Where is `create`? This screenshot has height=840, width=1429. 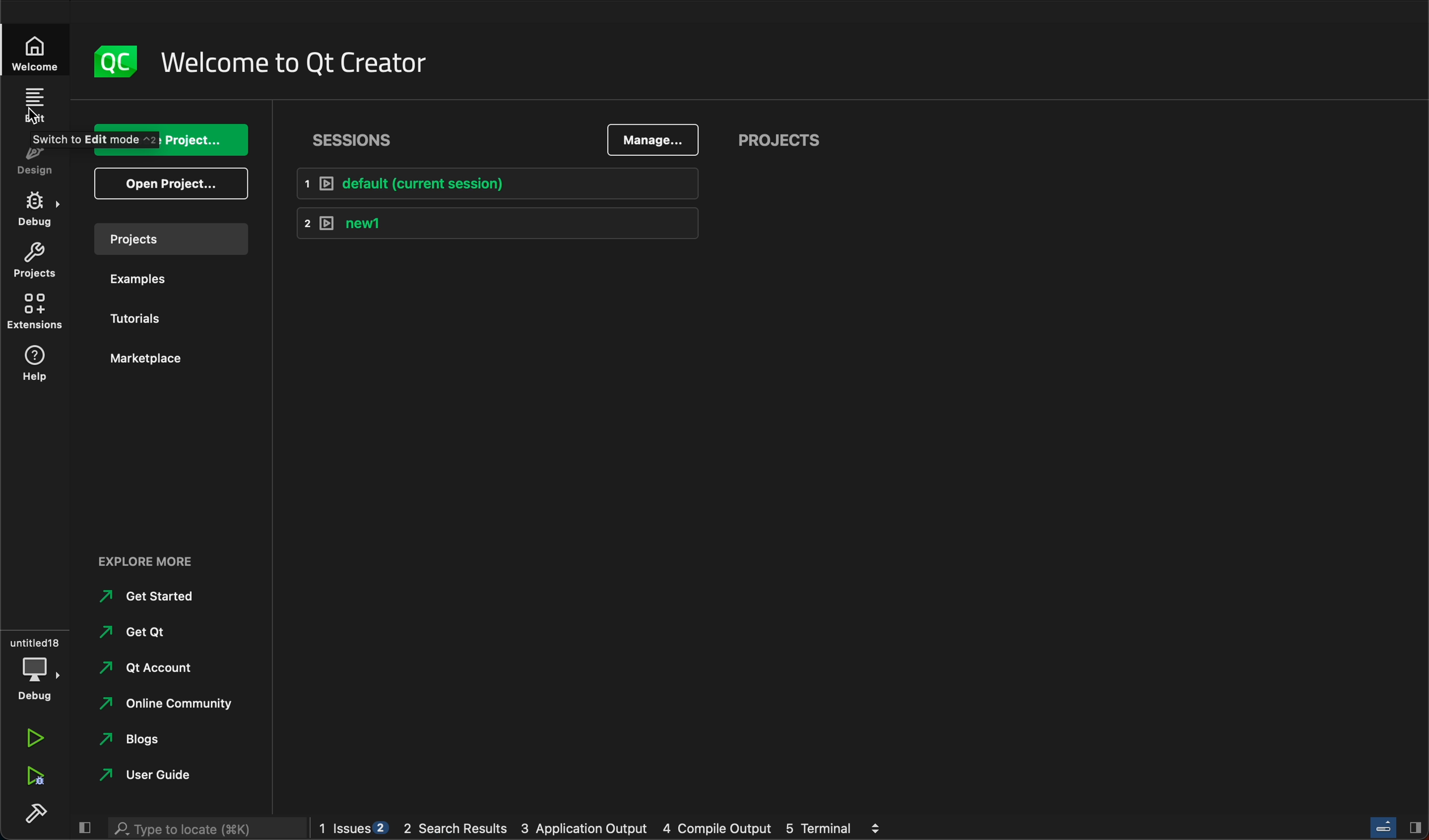 create is located at coordinates (173, 139).